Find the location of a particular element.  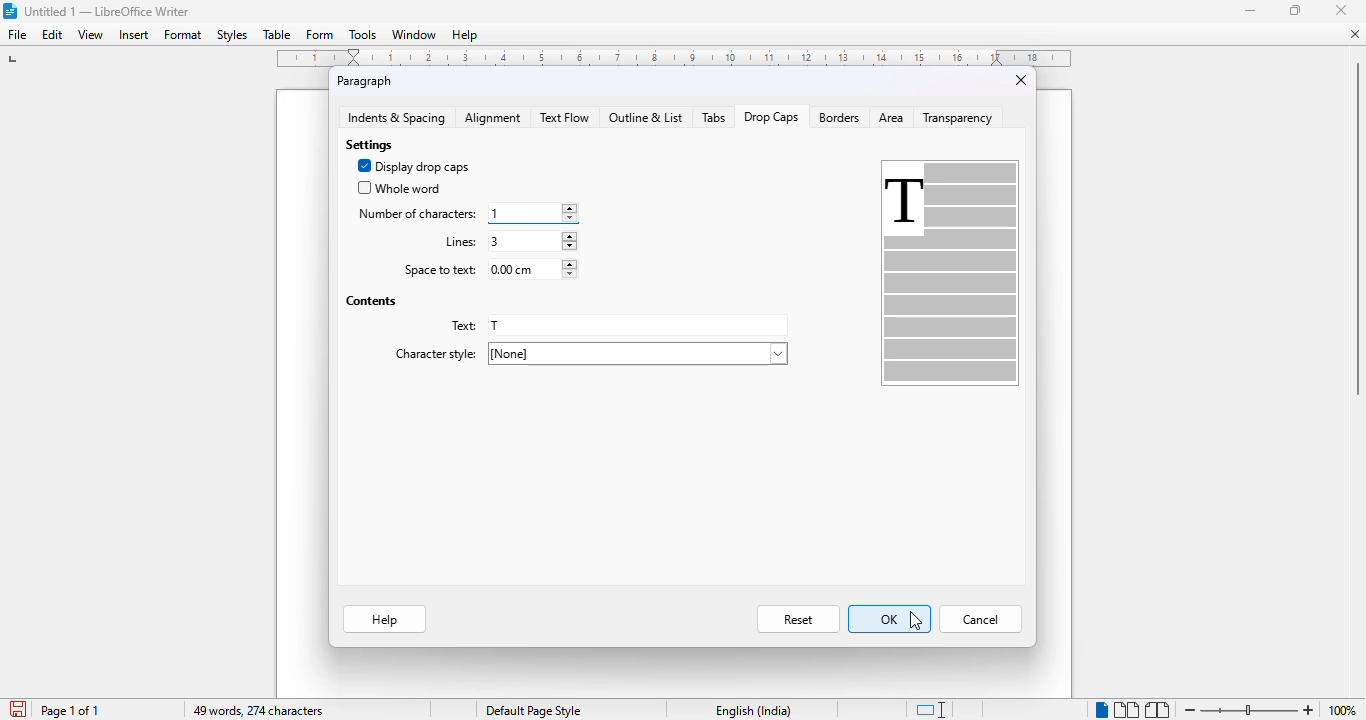

text: T is located at coordinates (616, 326).